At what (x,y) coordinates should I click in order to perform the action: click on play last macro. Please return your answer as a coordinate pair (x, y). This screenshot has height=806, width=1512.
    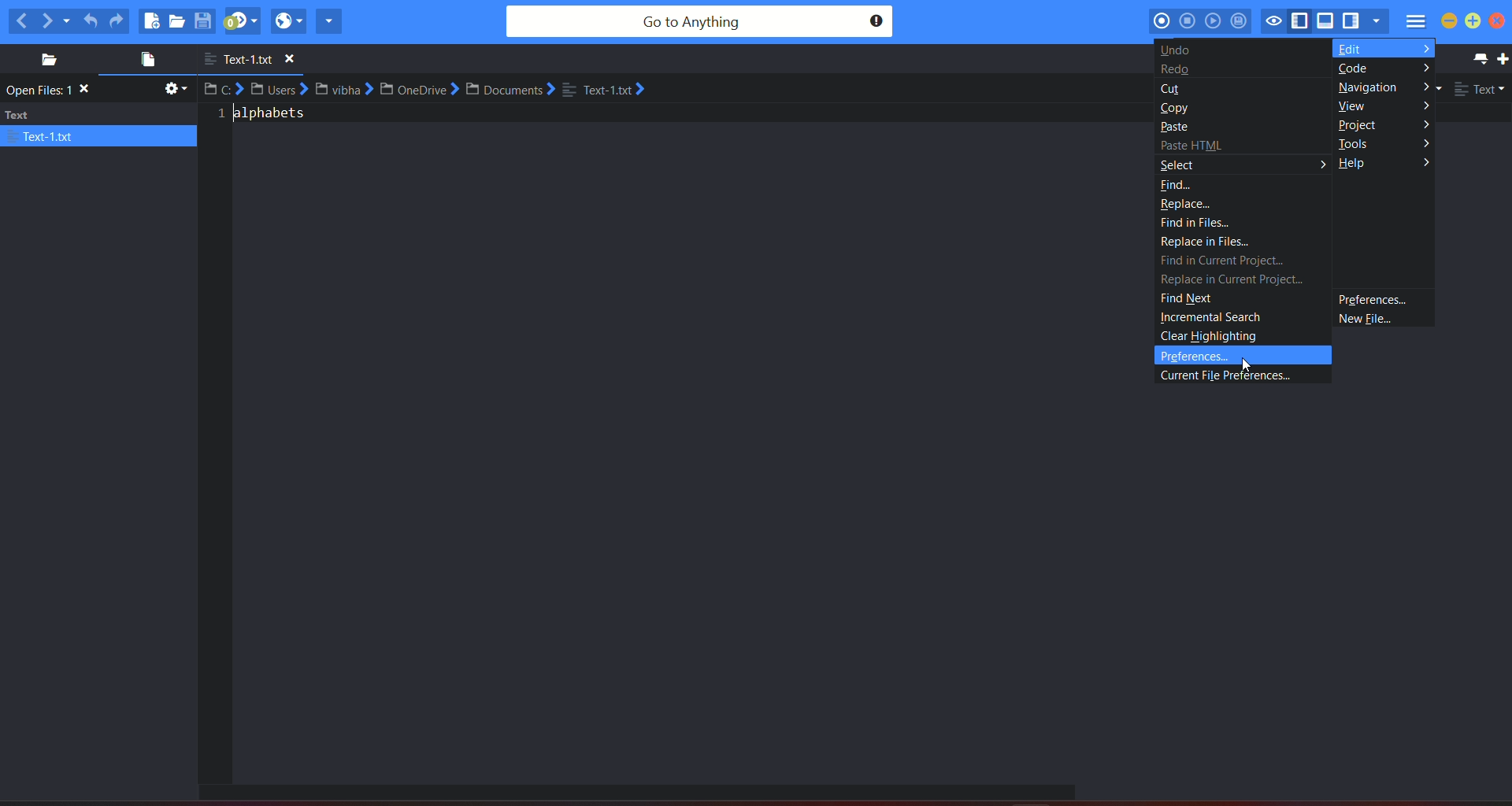
    Looking at the image, I should click on (1214, 21).